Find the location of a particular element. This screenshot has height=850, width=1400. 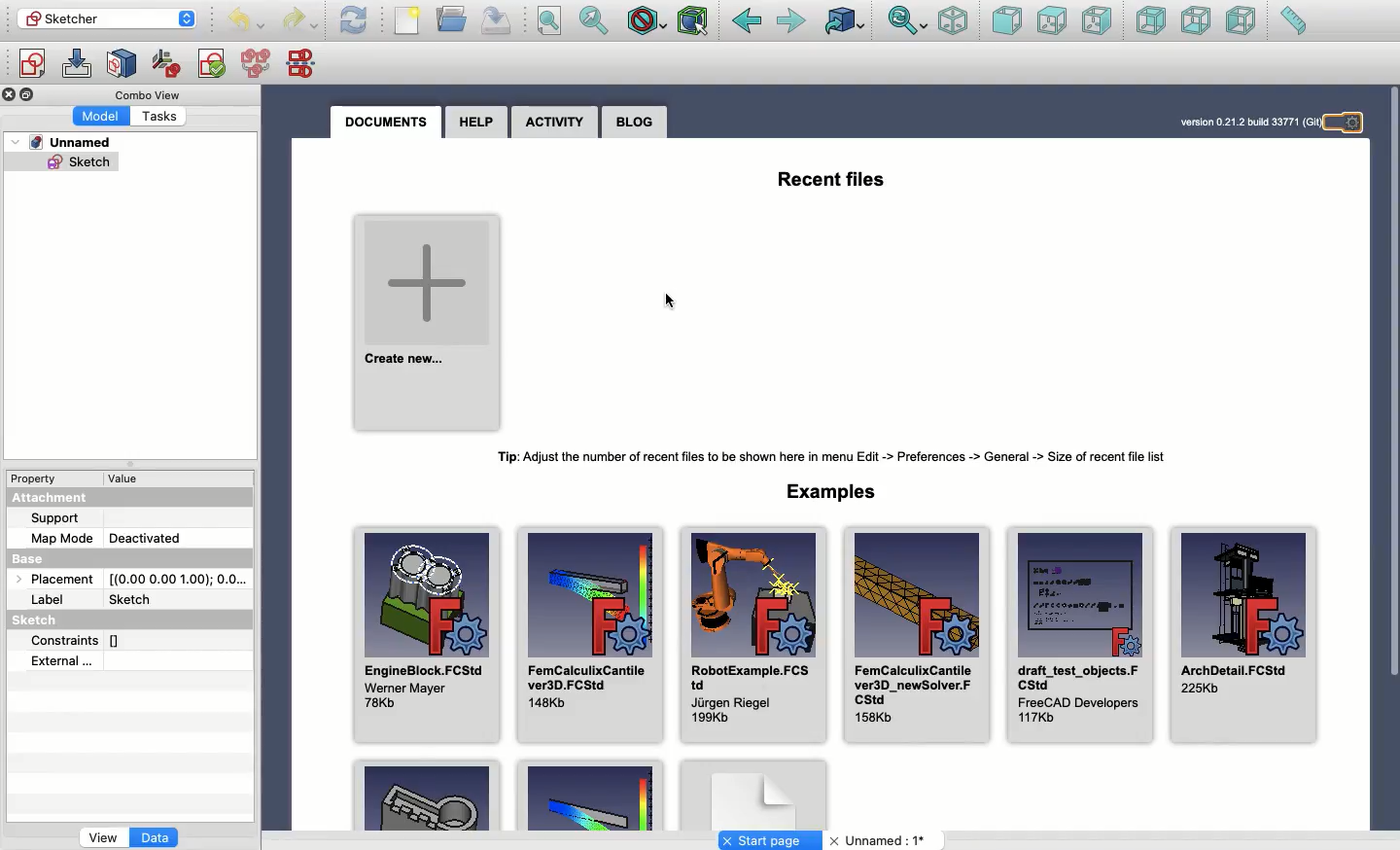

Top is located at coordinates (1051, 20).